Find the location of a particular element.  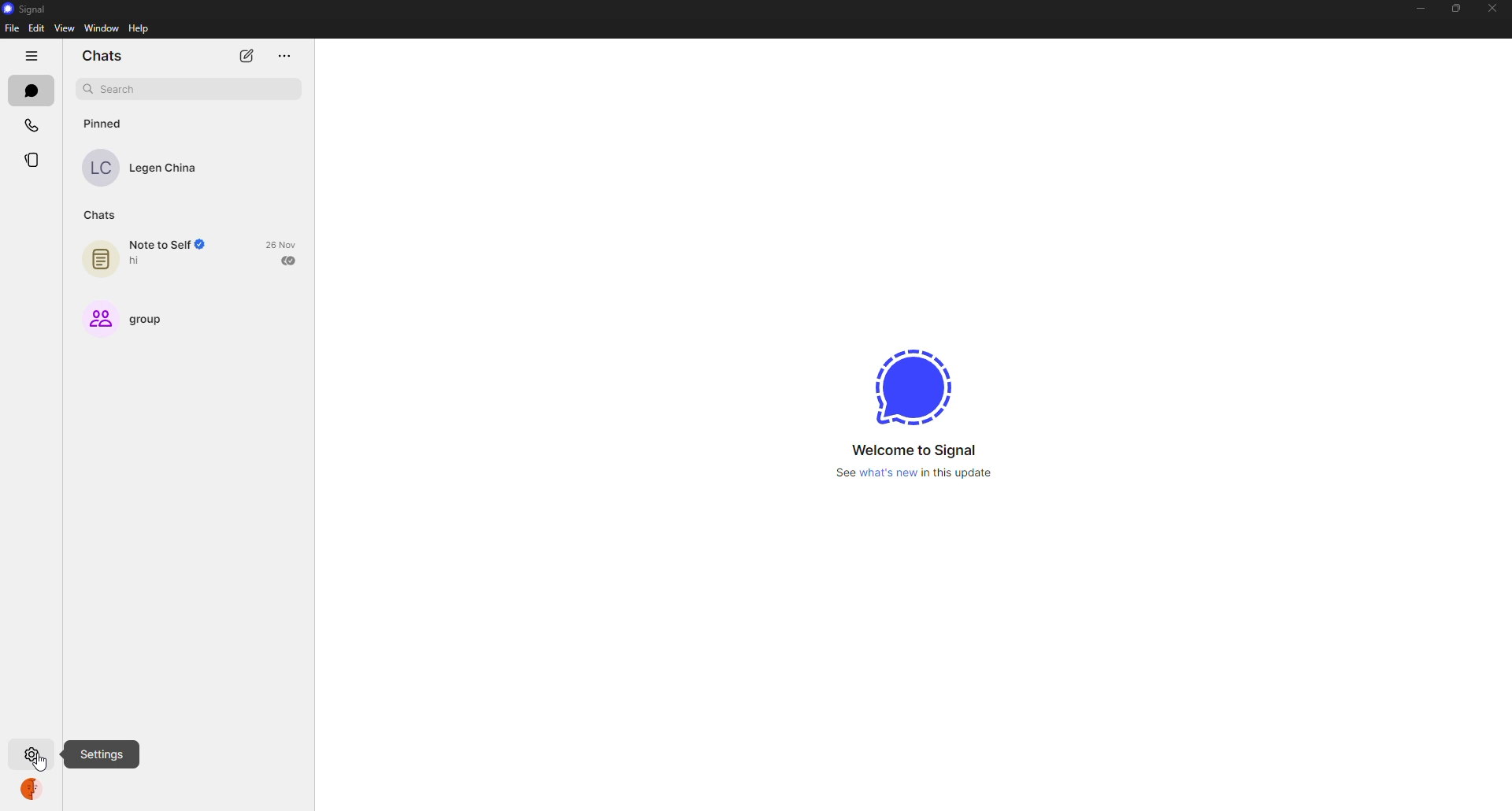

settings is located at coordinates (34, 756).